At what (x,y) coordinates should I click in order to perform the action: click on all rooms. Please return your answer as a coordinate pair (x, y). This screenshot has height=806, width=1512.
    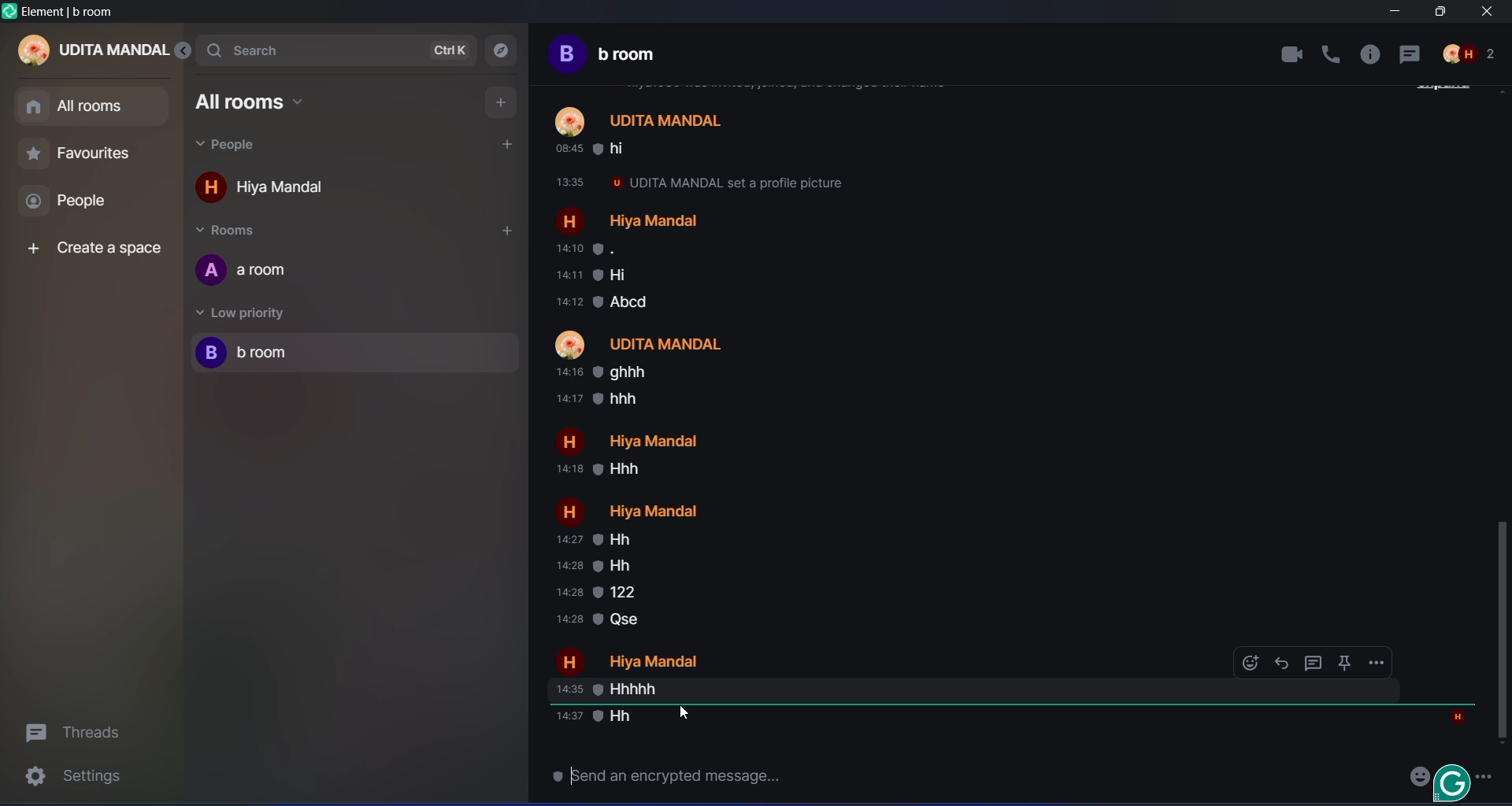
    Looking at the image, I should click on (254, 99).